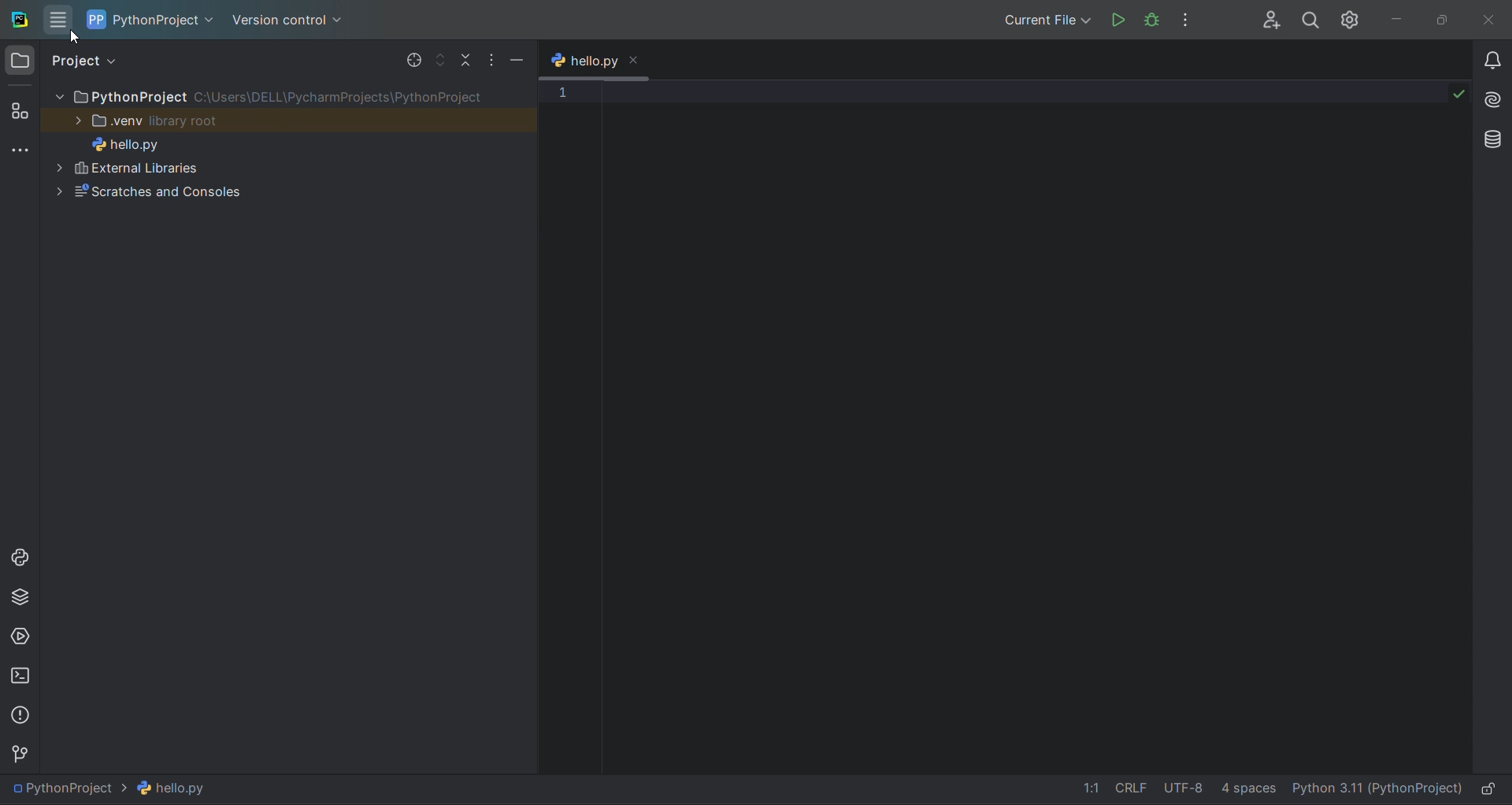 This screenshot has width=1512, height=805. What do you see at coordinates (521, 61) in the screenshot?
I see `minimize` at bounding box center [521, 61].